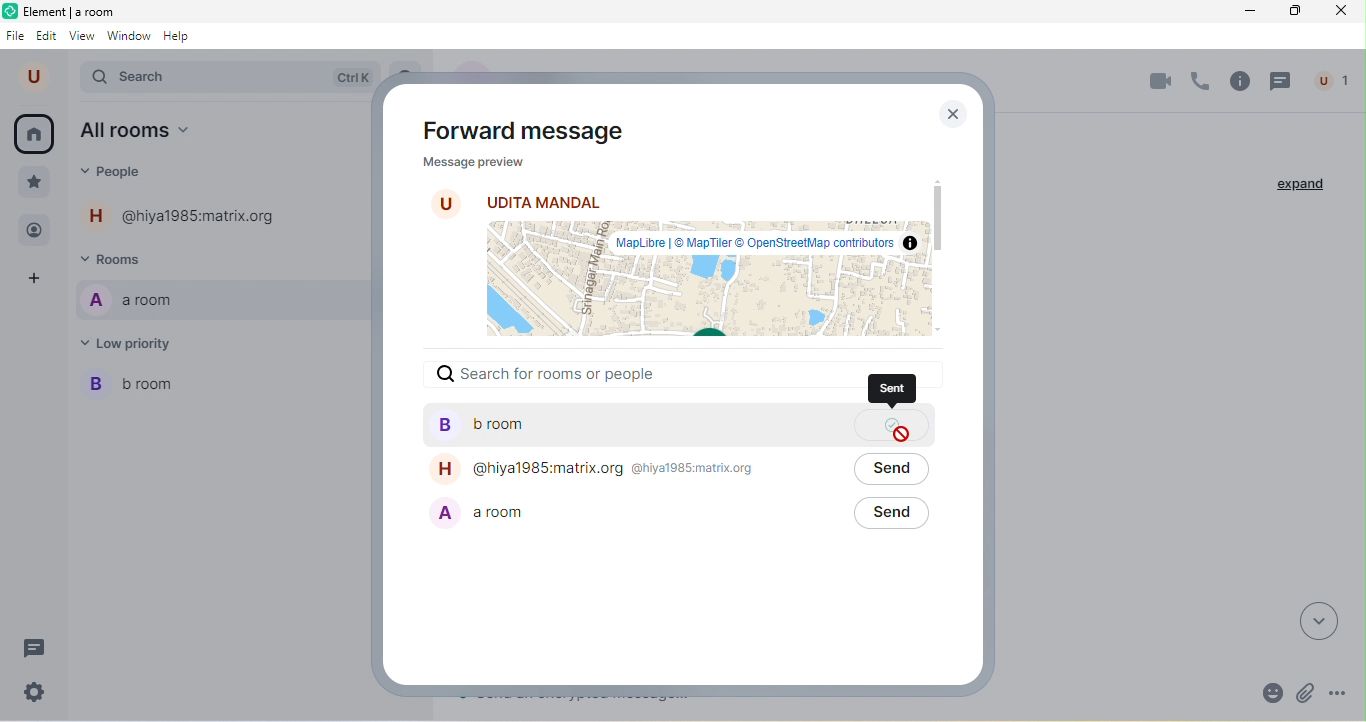 The image size is (1366, 722). I want to click on threads, so click(32, 648).